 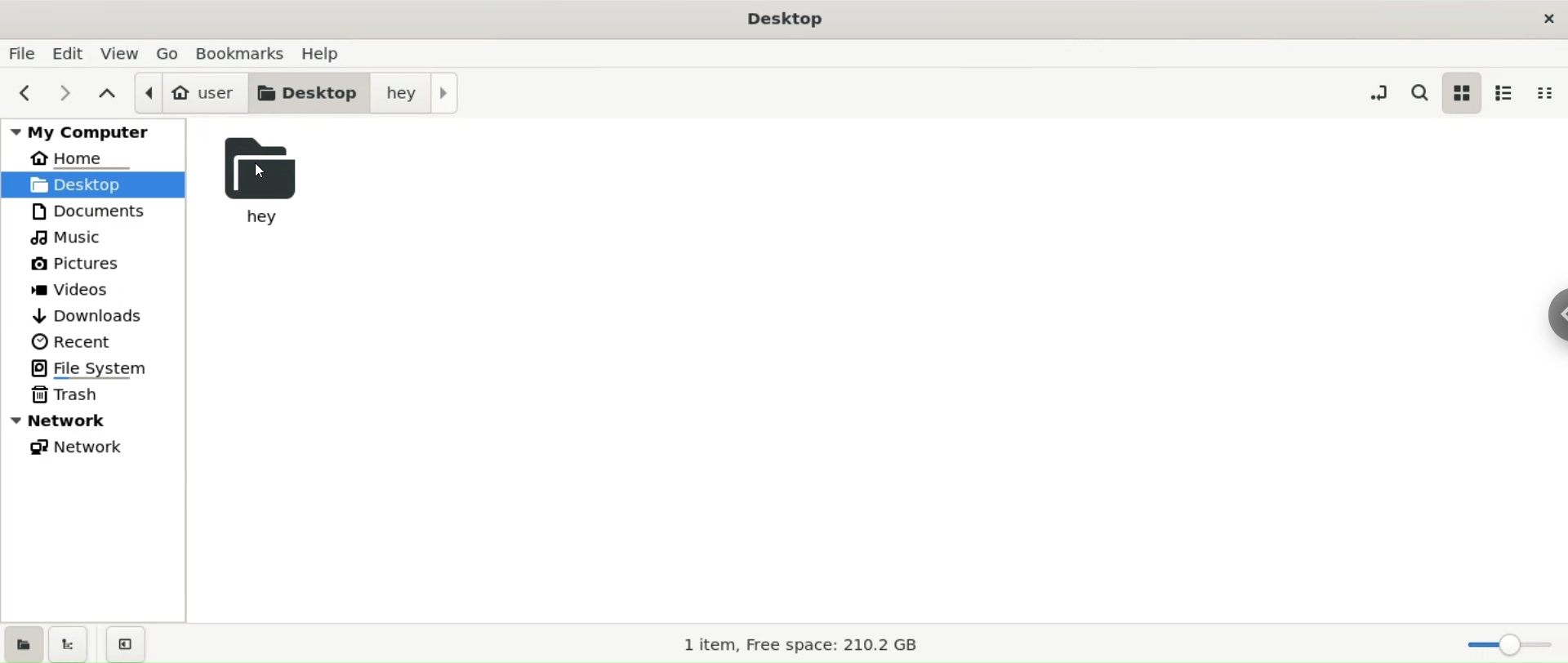 What do you see at coordinates (96, 265) in the screenshot?
I see `pictures` at bounding box center [96, 265].